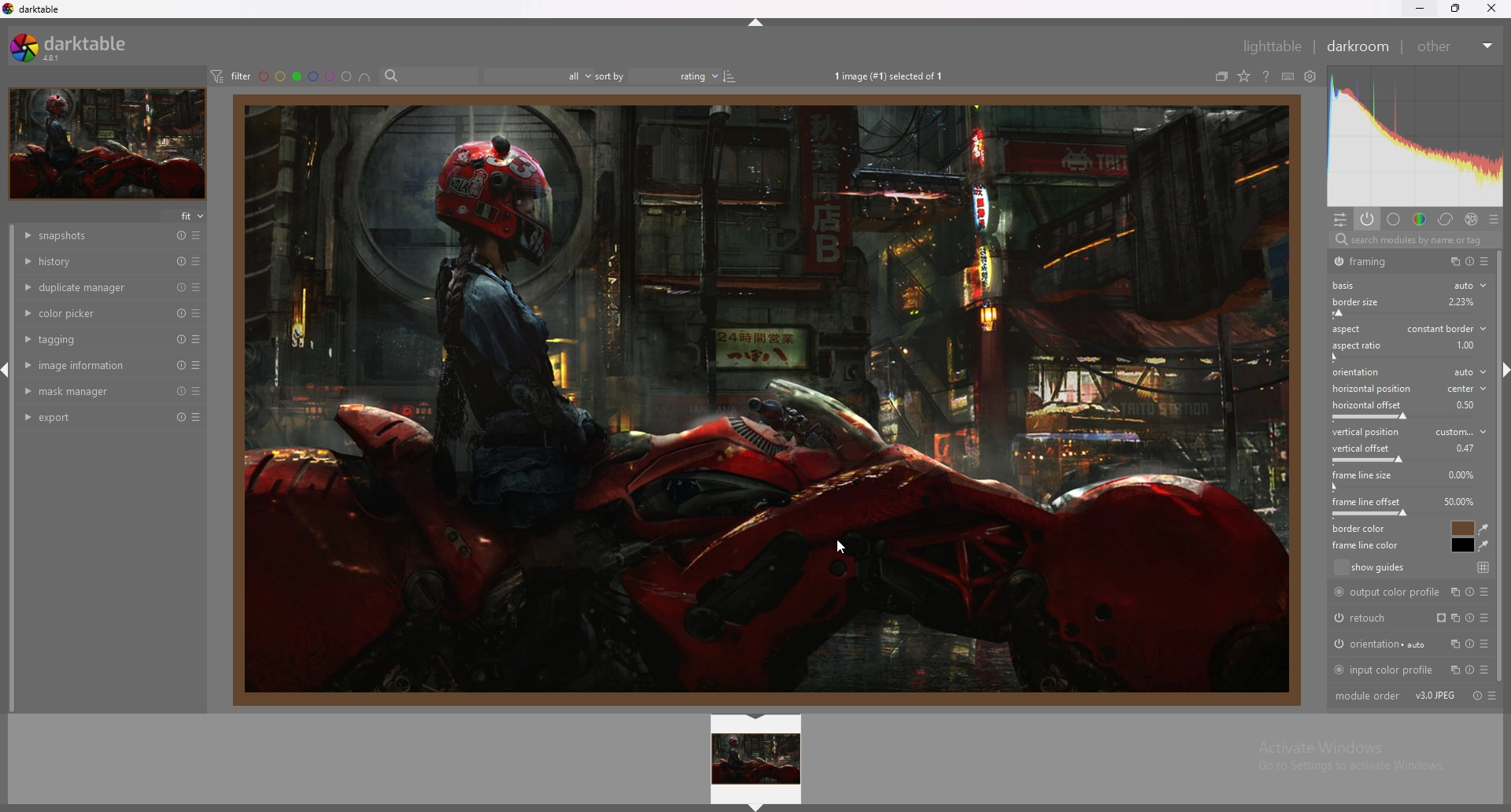  I want to click on filter by images rating, so click(531, 75).